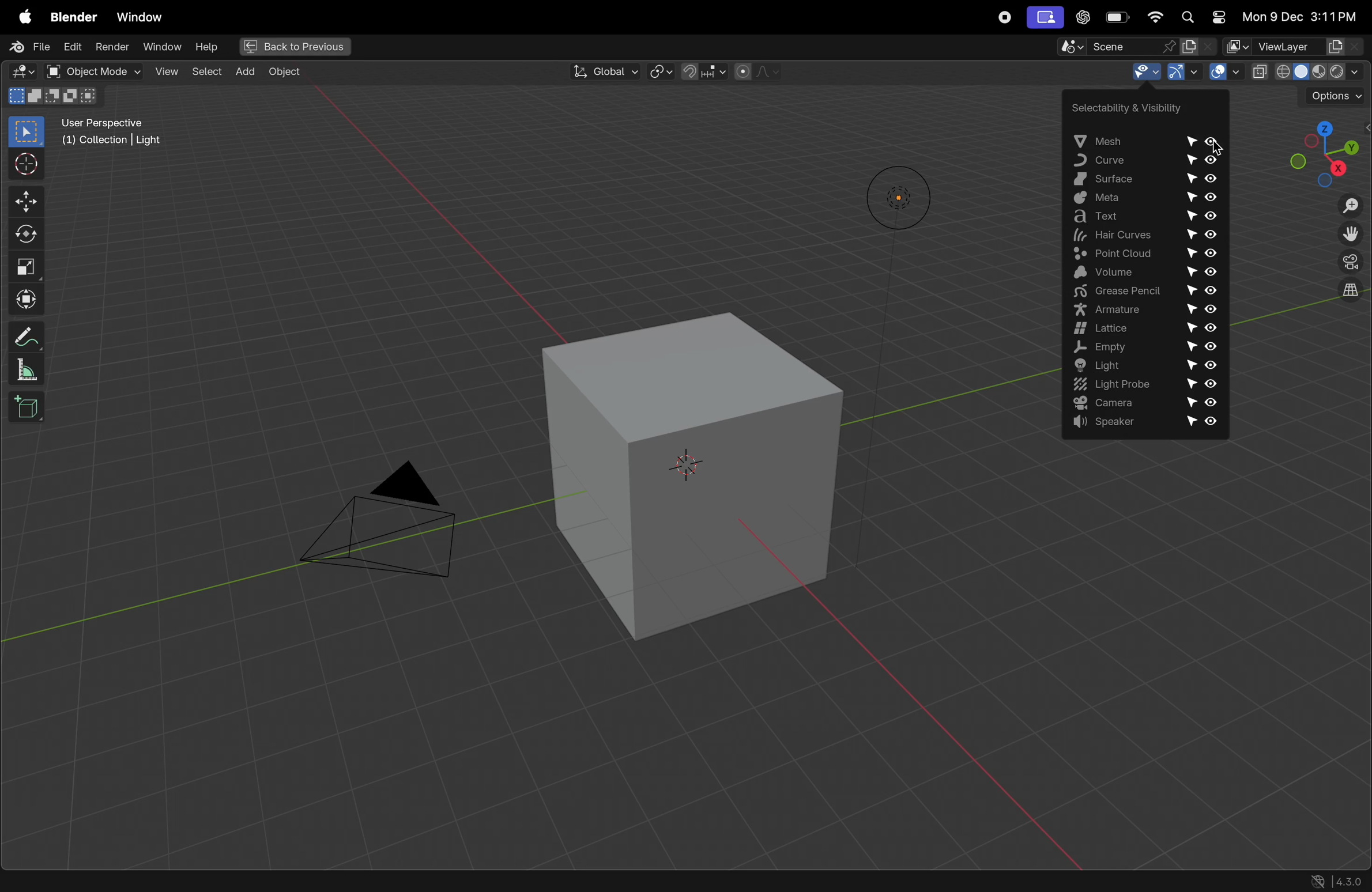  Describe the element at coordinates (206, 48) in the screenshot. I see `help` at that location.